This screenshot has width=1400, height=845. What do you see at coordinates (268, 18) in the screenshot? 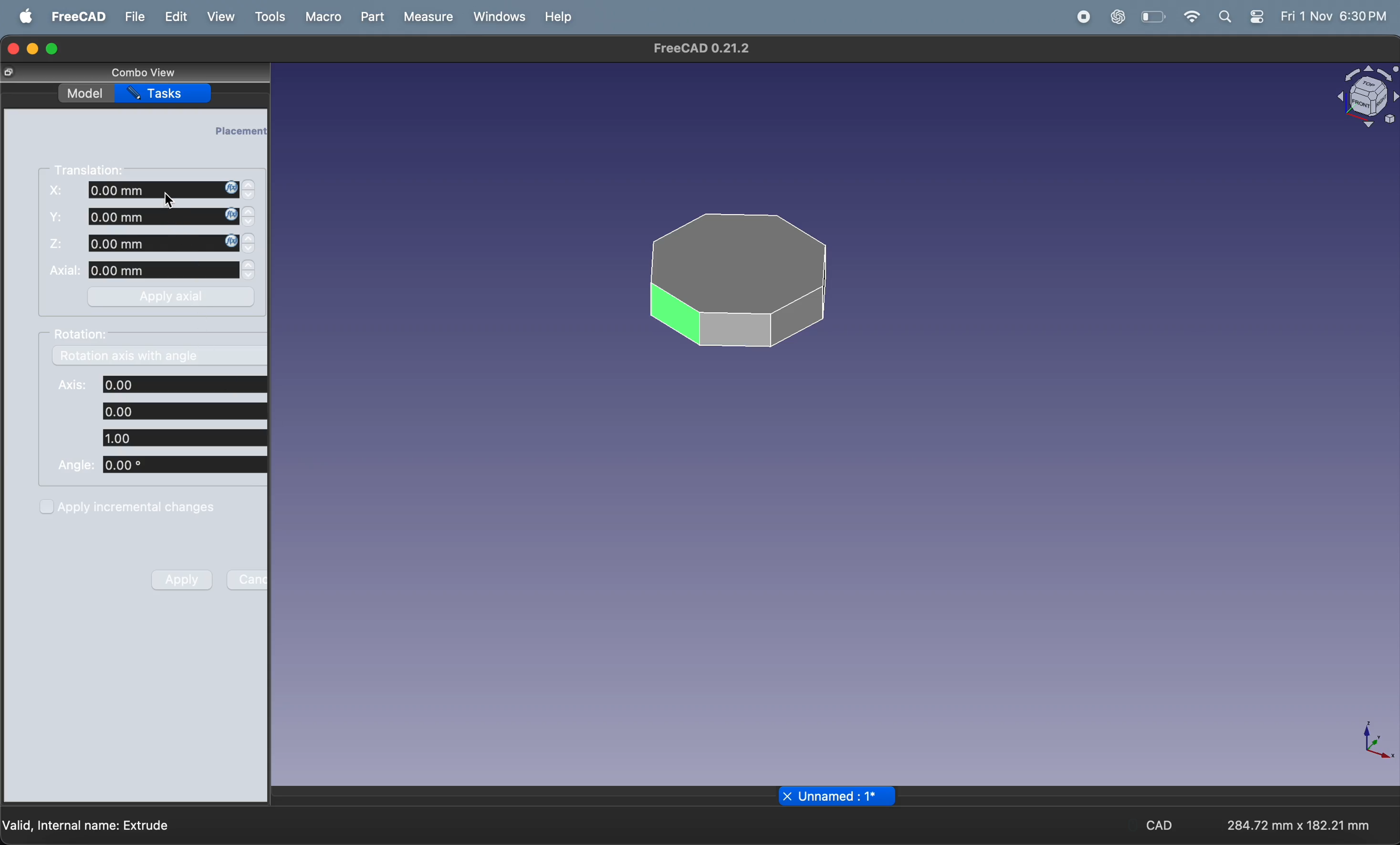
I see `tools` at bounding box center [268, 18].